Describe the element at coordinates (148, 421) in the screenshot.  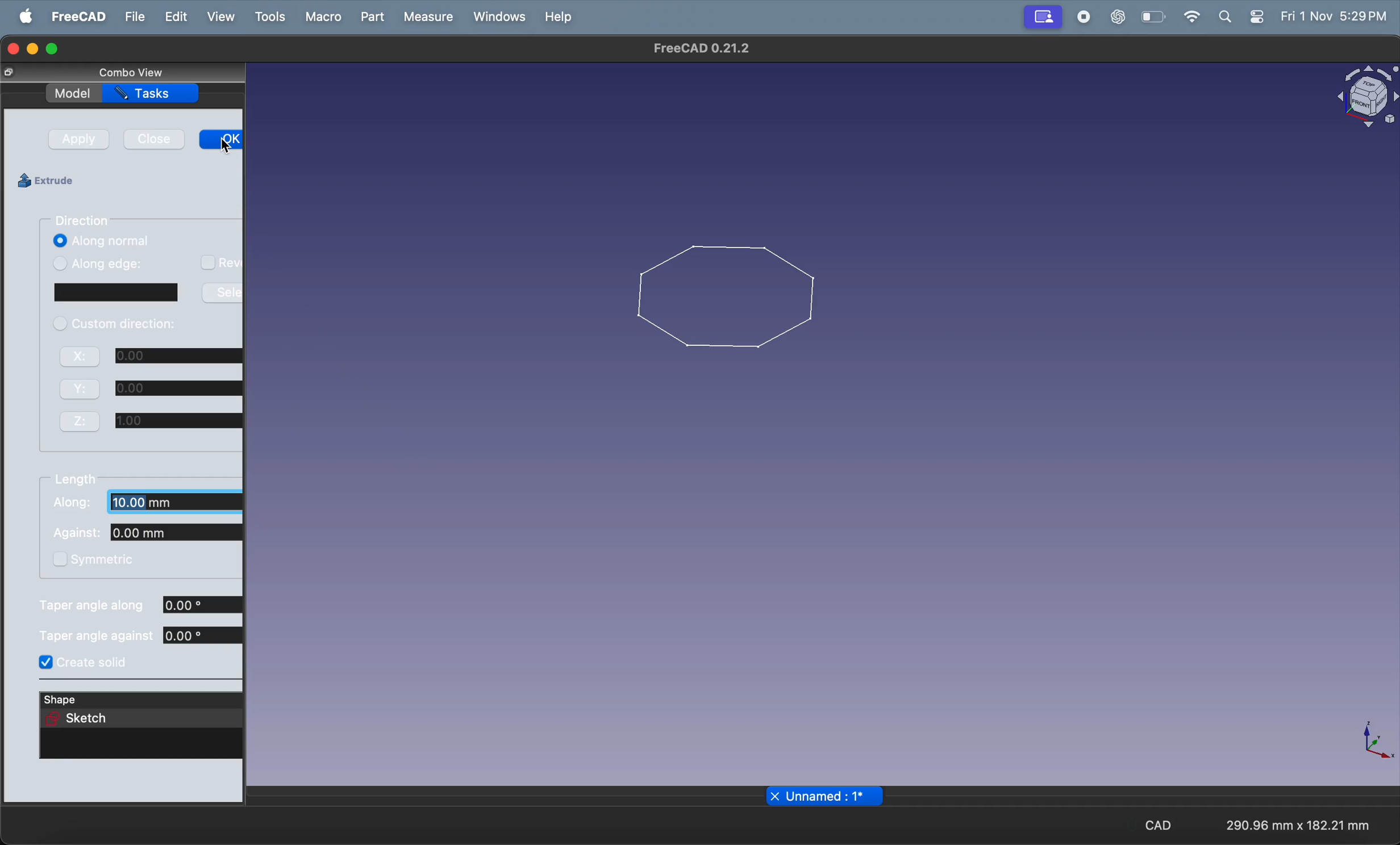
I see `z co ordinate` at that location.